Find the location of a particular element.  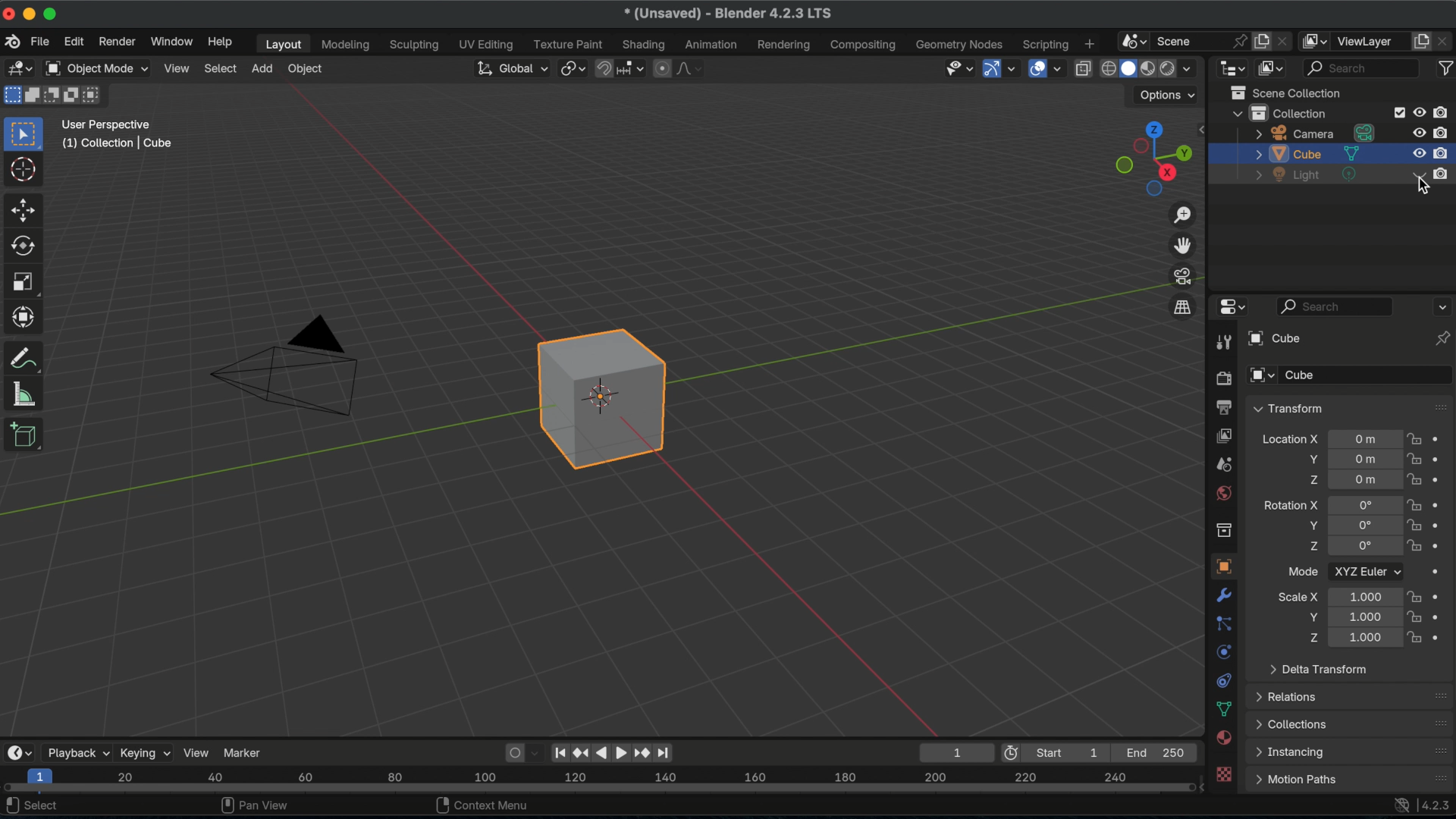

location Y is located at coordinates (1307, 460).